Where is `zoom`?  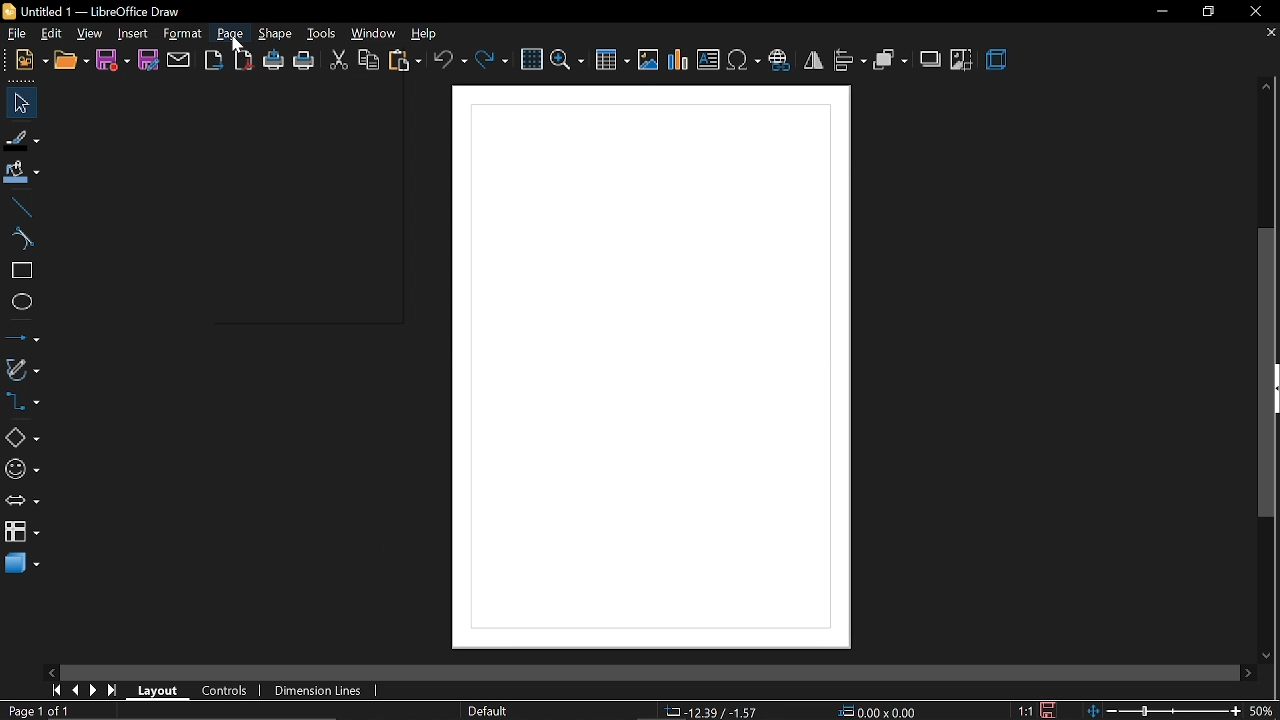
zoom is located at coordinates (567, 60).